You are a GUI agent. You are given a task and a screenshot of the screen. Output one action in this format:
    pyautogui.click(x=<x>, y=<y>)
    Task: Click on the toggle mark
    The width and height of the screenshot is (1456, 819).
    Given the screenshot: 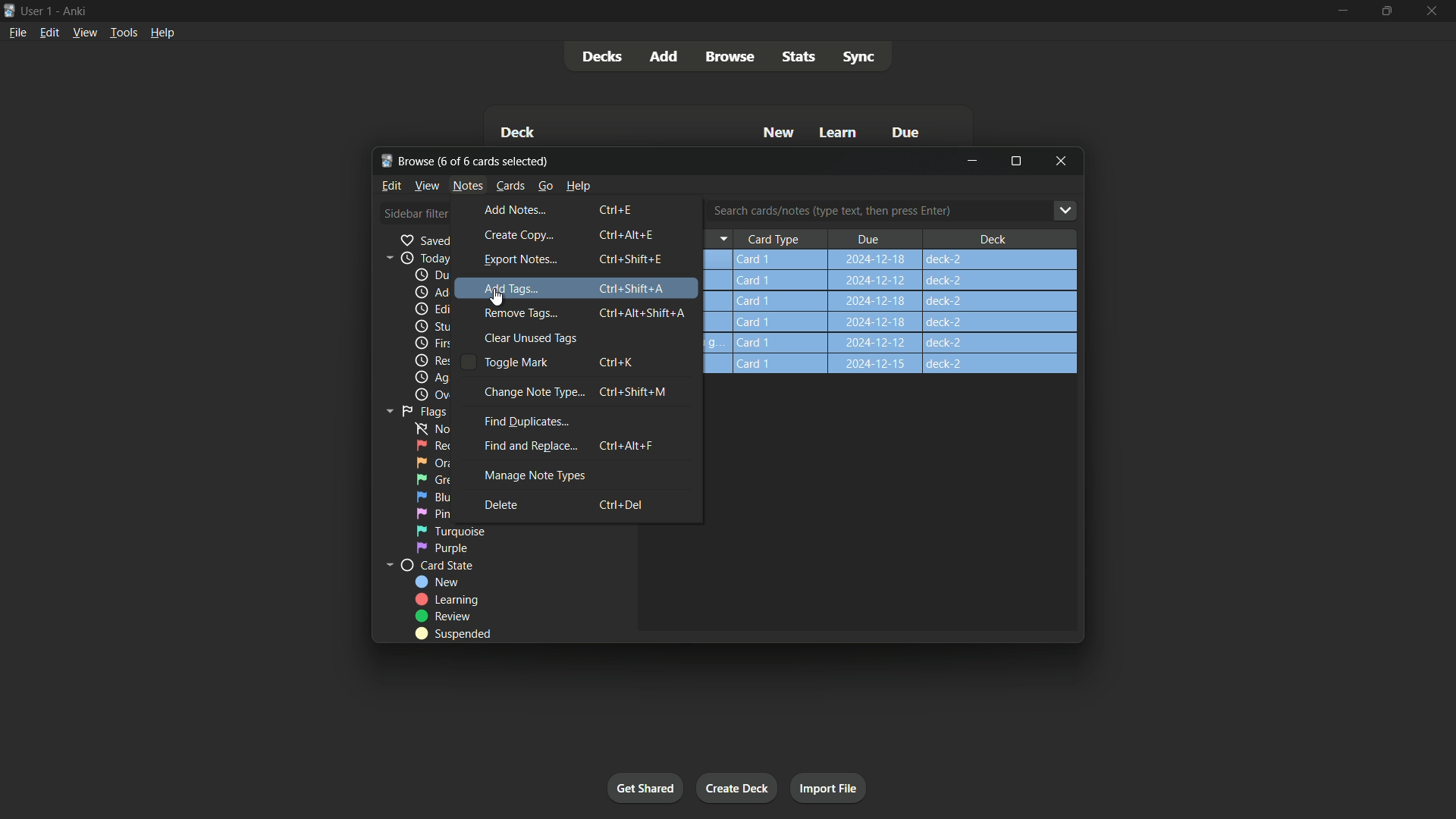 What is the action you would take?
    pyautogui.click(x=516, y=363)
    